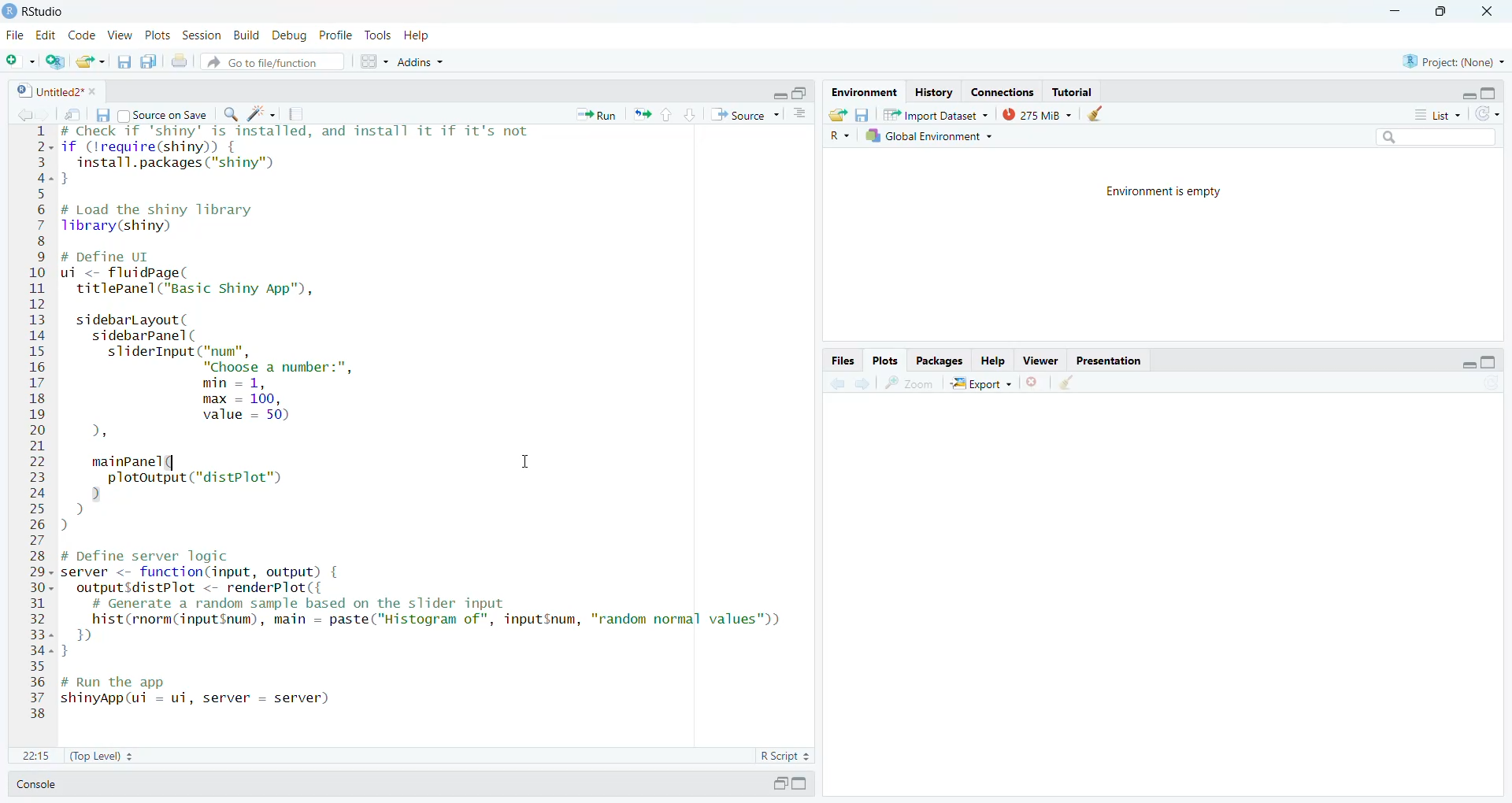 The image size is (1512, 803). I want to click on Session, so click(201, 35).